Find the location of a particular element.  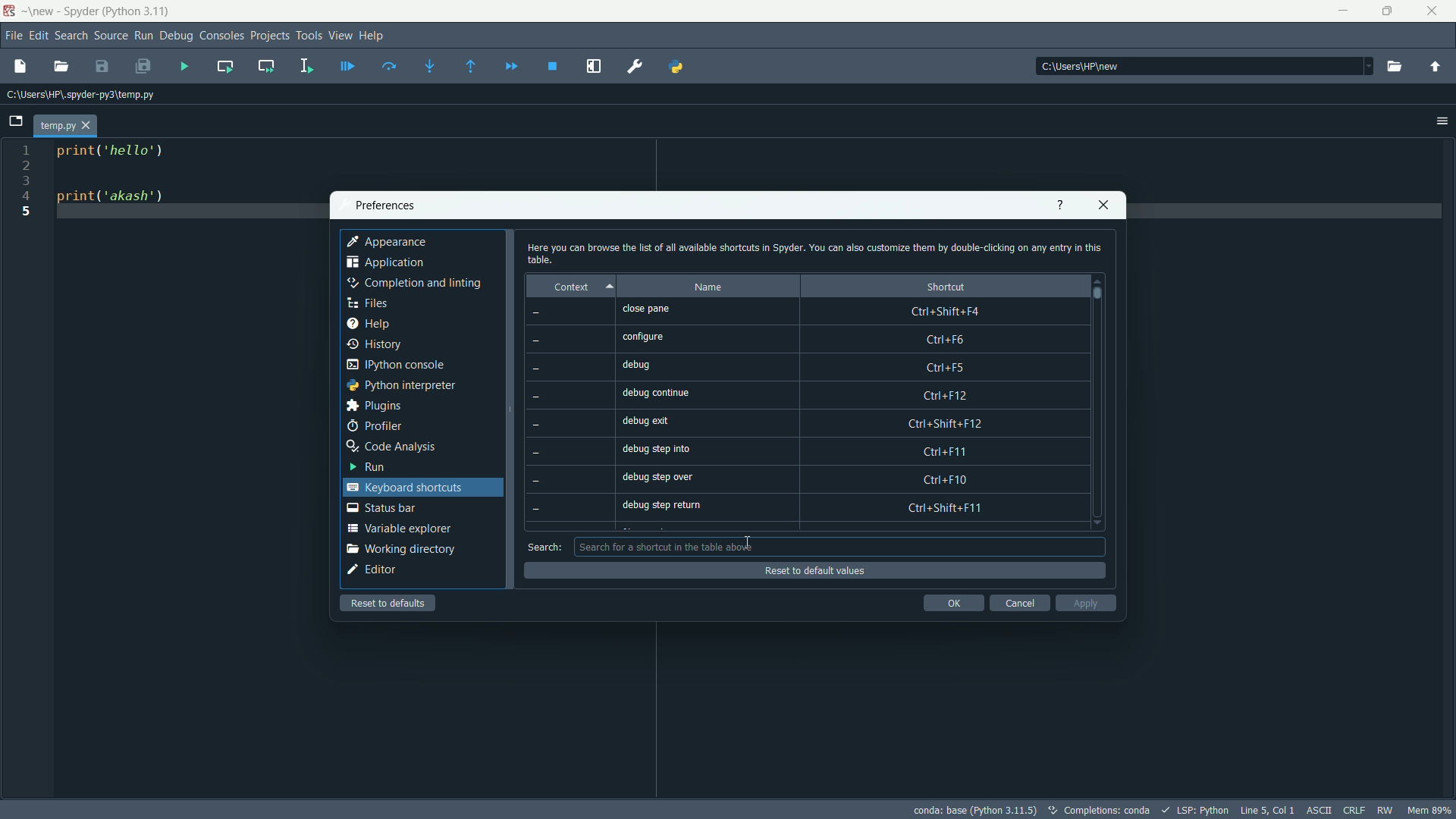

help is located at coordinates (1059, 206).